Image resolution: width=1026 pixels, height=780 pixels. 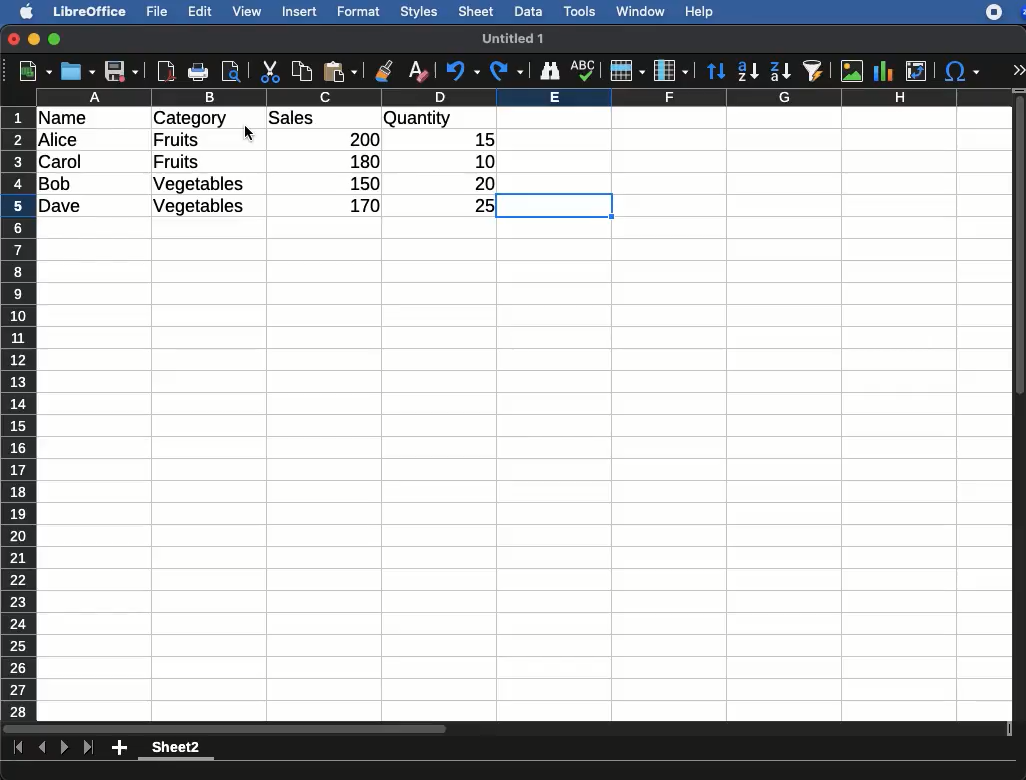 I want to click on scroll, so click(x=1021, y=404).